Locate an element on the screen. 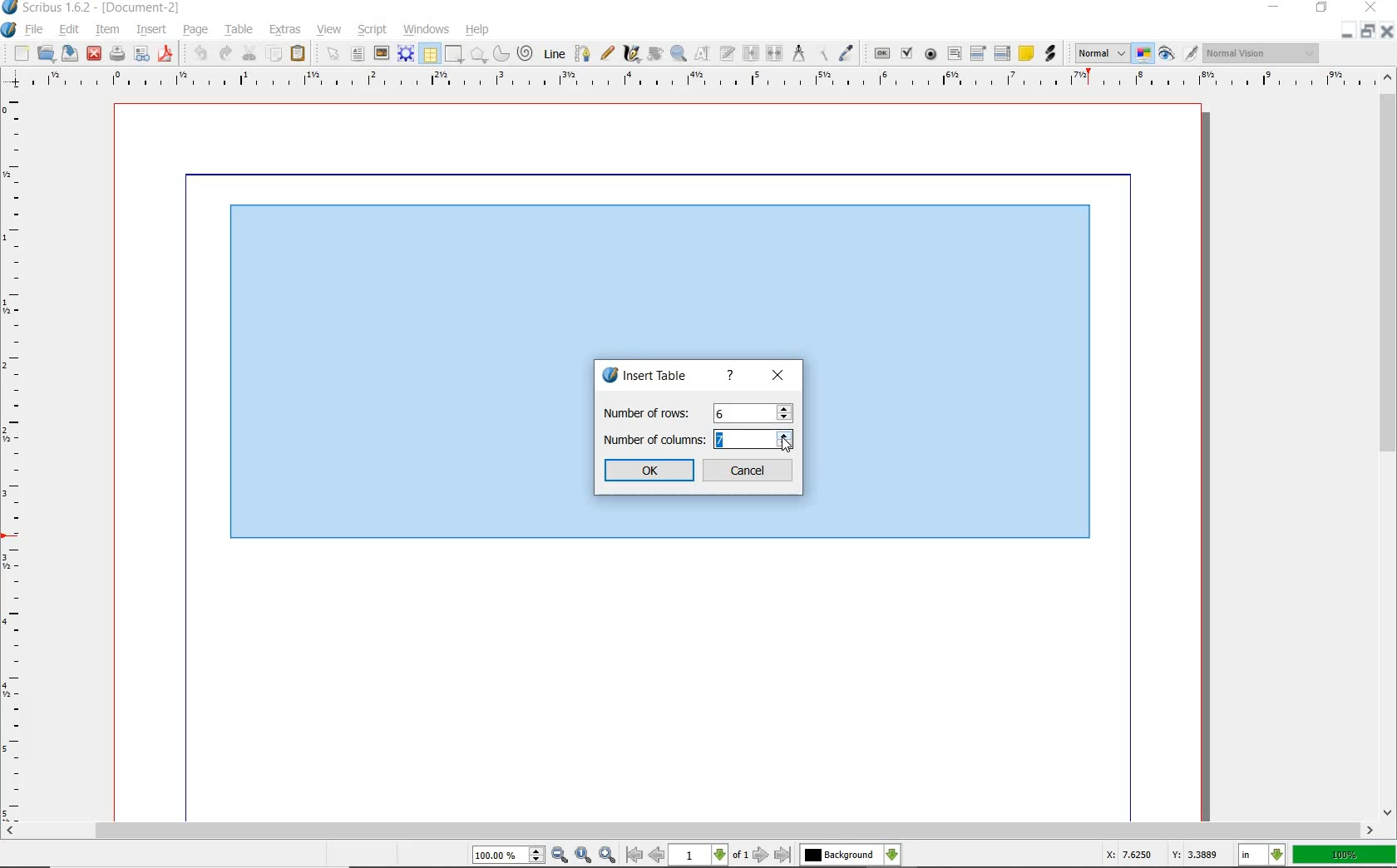  pdf checkbox is located at coordinates (905, 53).